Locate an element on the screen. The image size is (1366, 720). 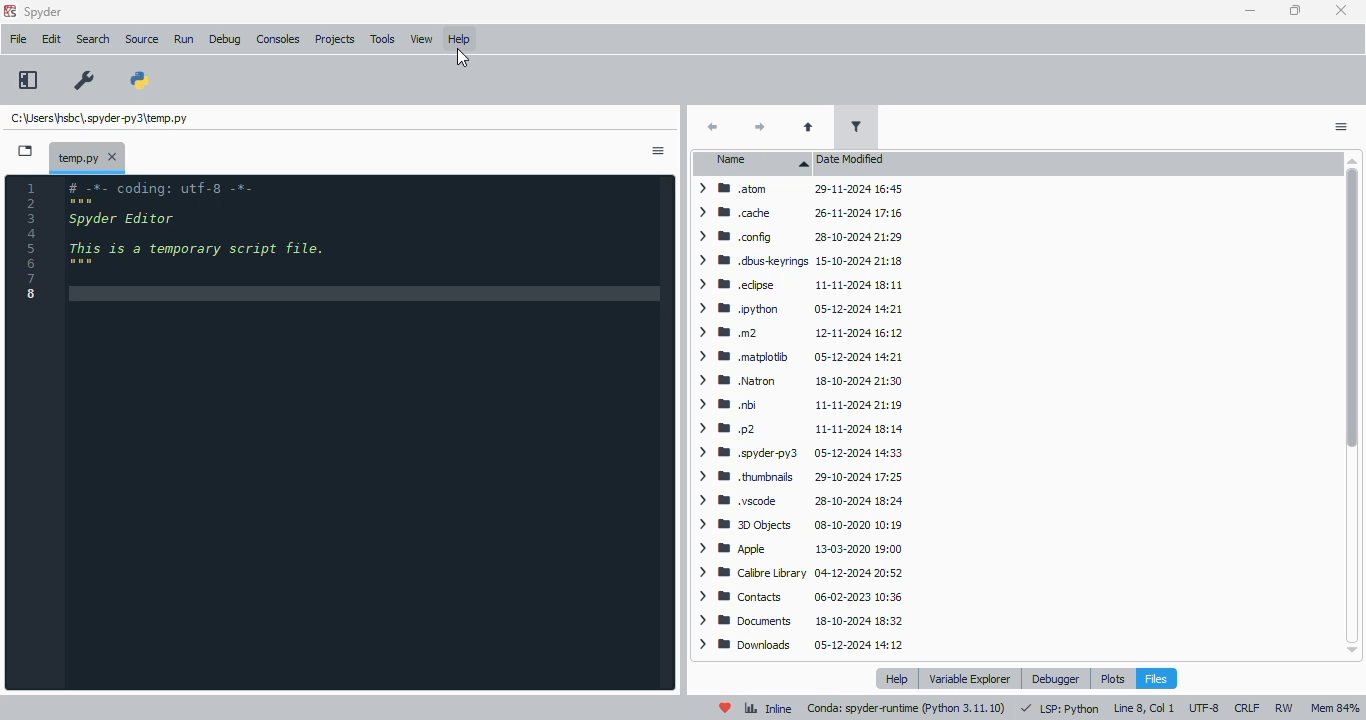
temporary file is located at coordinates (78, 158).